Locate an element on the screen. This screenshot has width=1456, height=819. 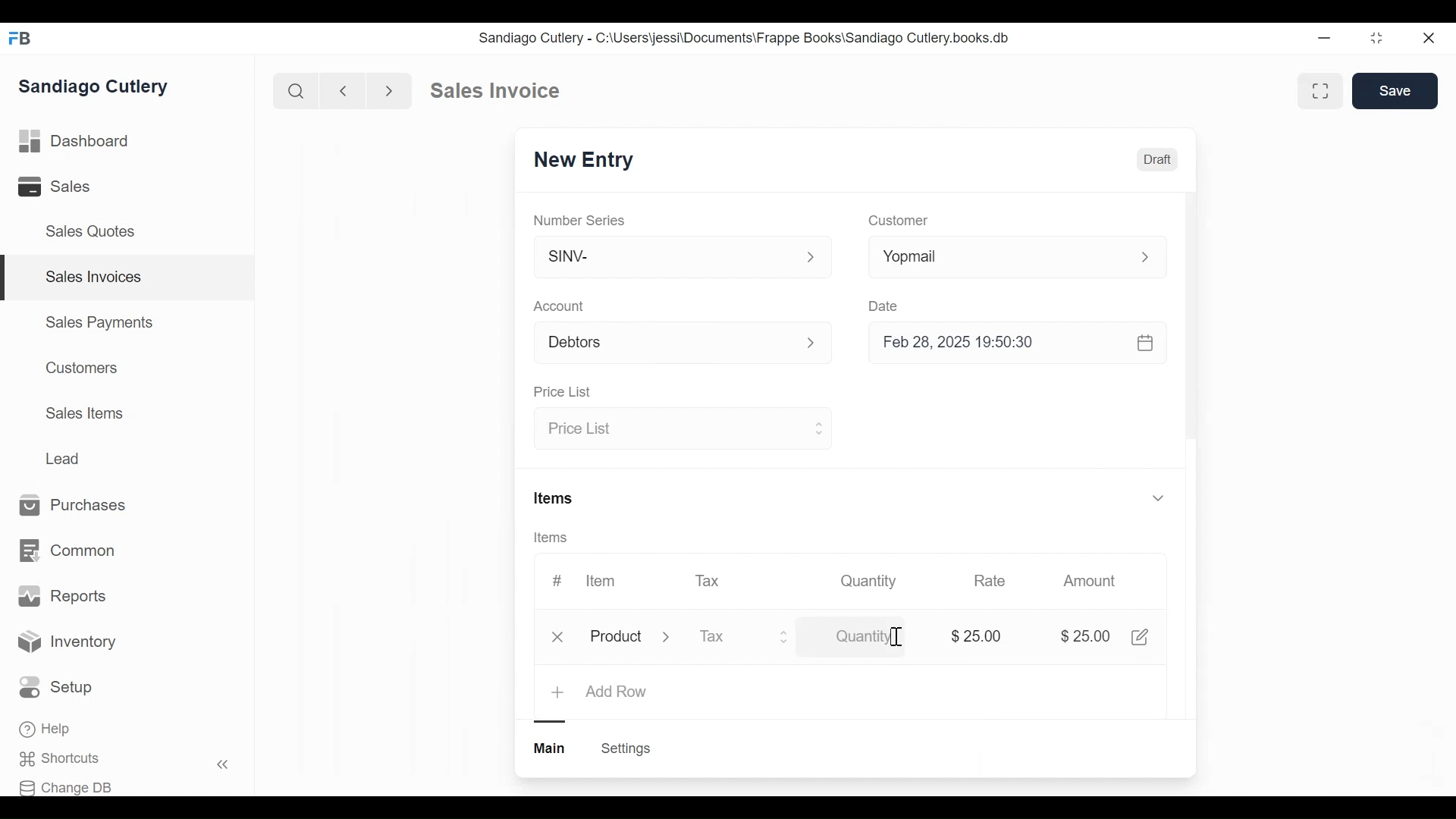
Help is located at coordinates (46, 729).